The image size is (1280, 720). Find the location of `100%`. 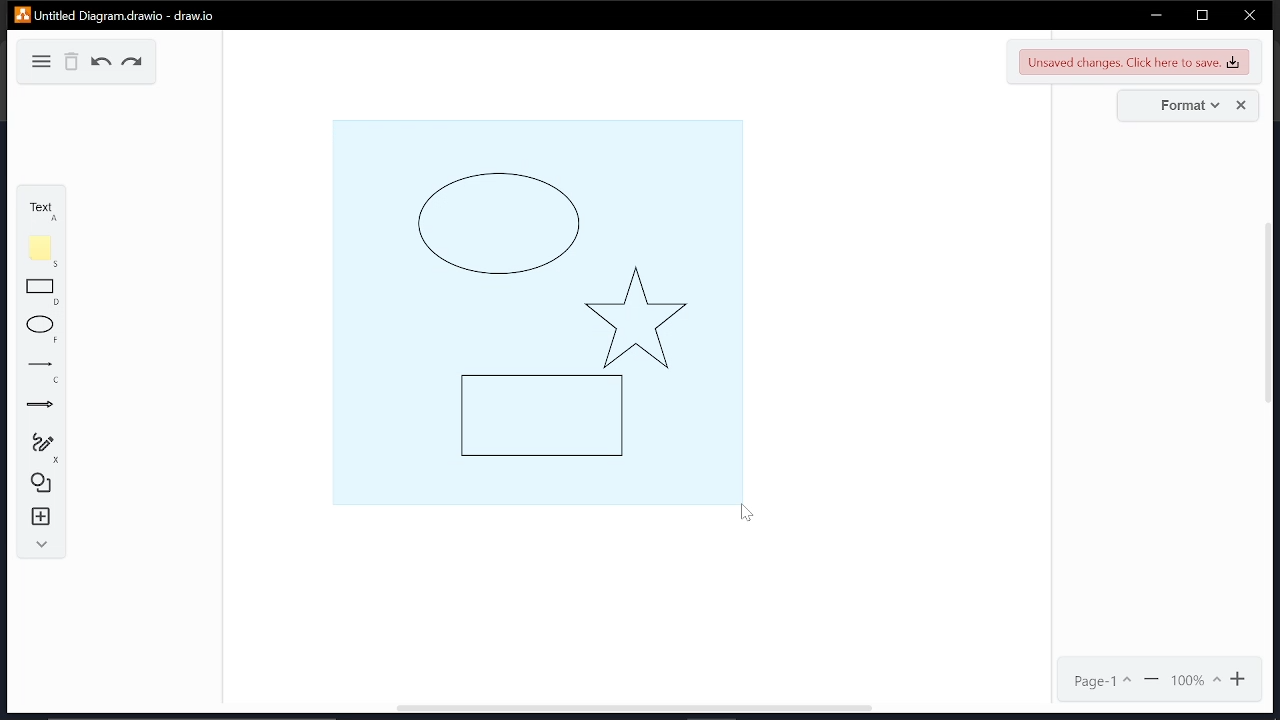

100% is located at coordinates (1195, 680).